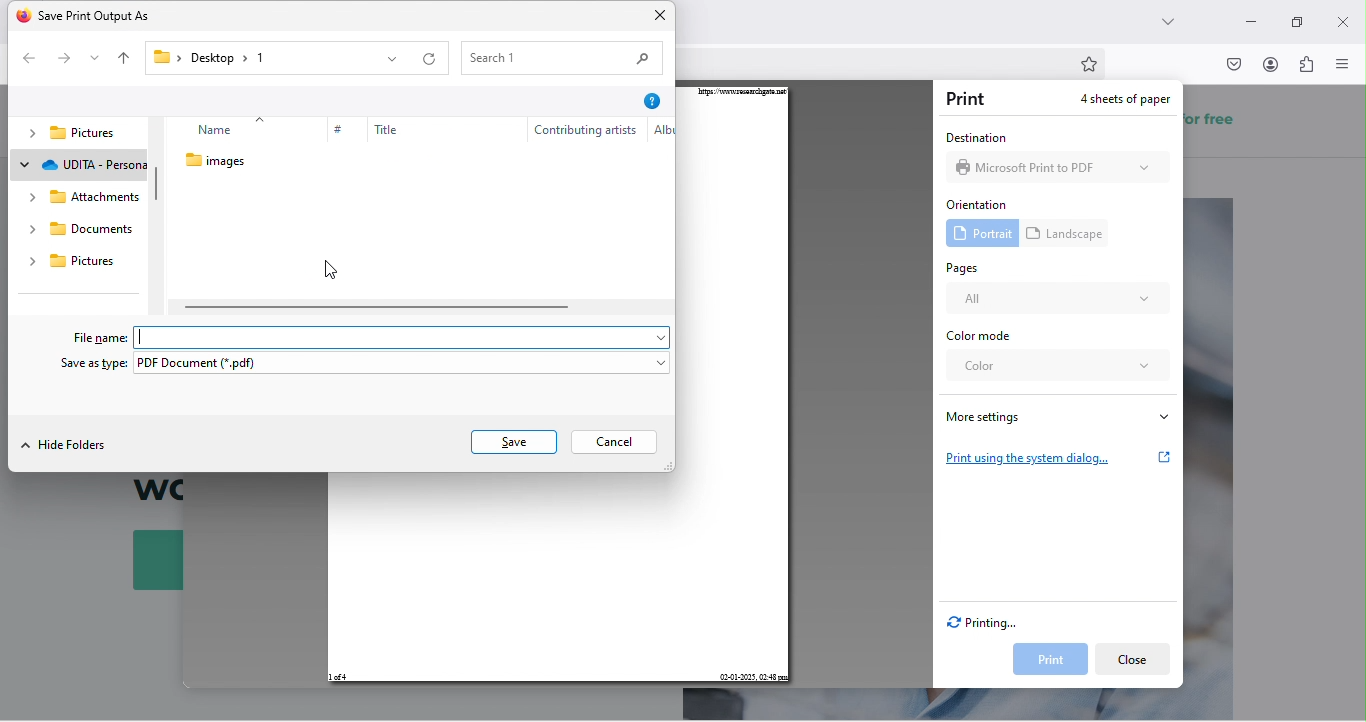 This screenshot has height=722, width=1366. I want to click on pictures, so click(80, 132).